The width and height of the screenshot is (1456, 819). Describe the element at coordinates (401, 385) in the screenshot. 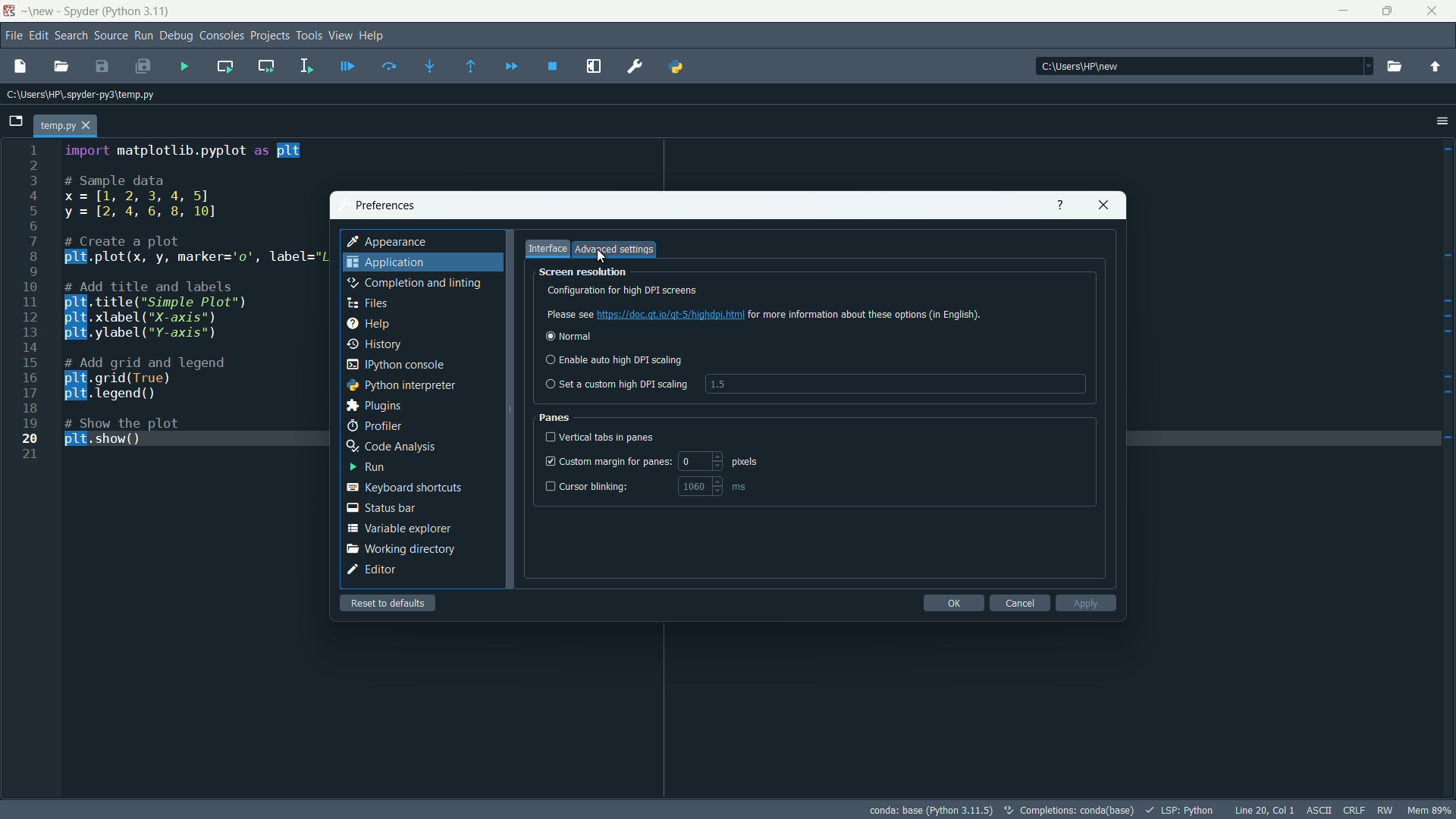

I see `python interpreter` at that location.